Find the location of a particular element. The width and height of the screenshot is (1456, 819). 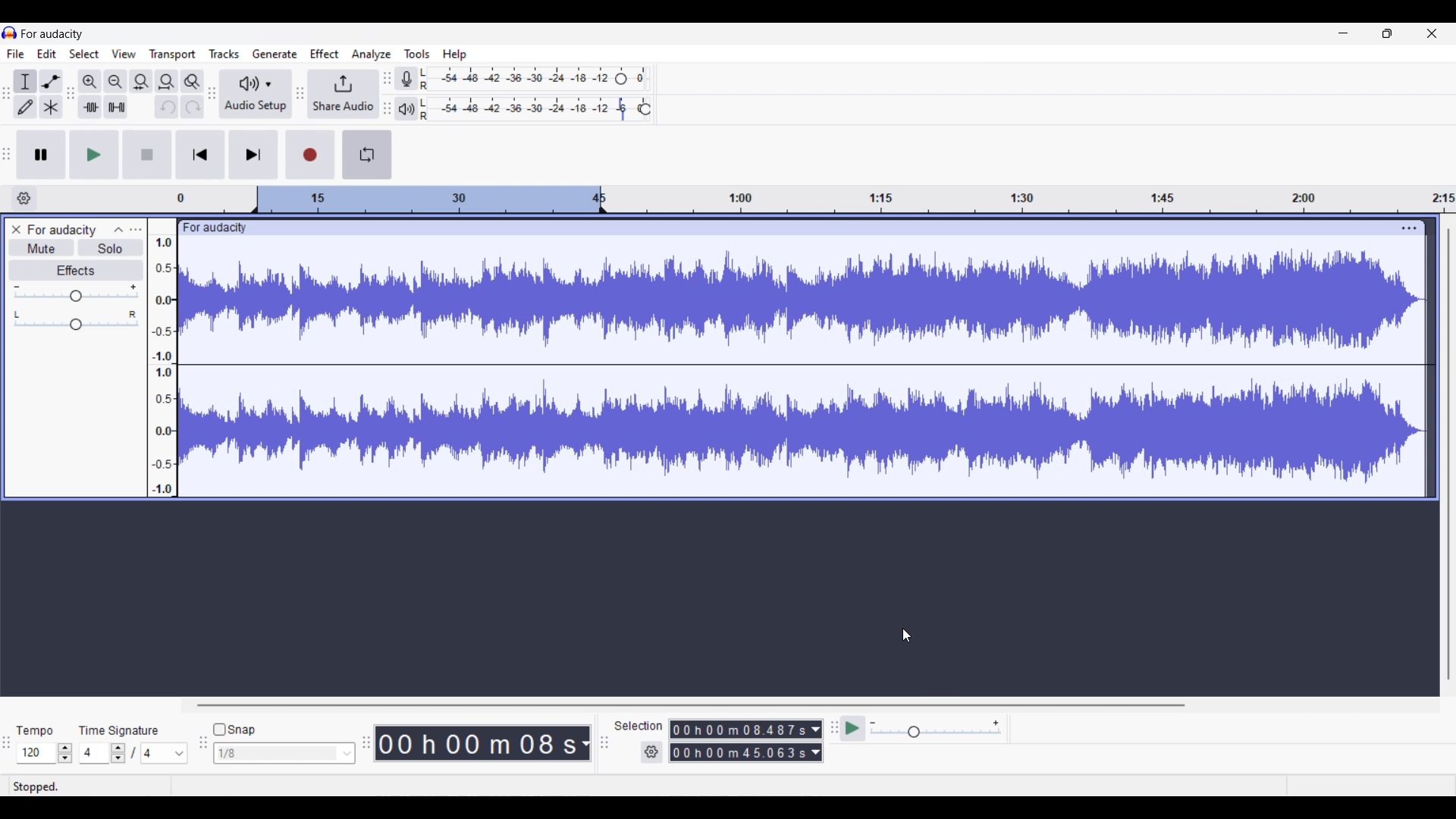

Analyze menu is located at coordinates (372, 55).